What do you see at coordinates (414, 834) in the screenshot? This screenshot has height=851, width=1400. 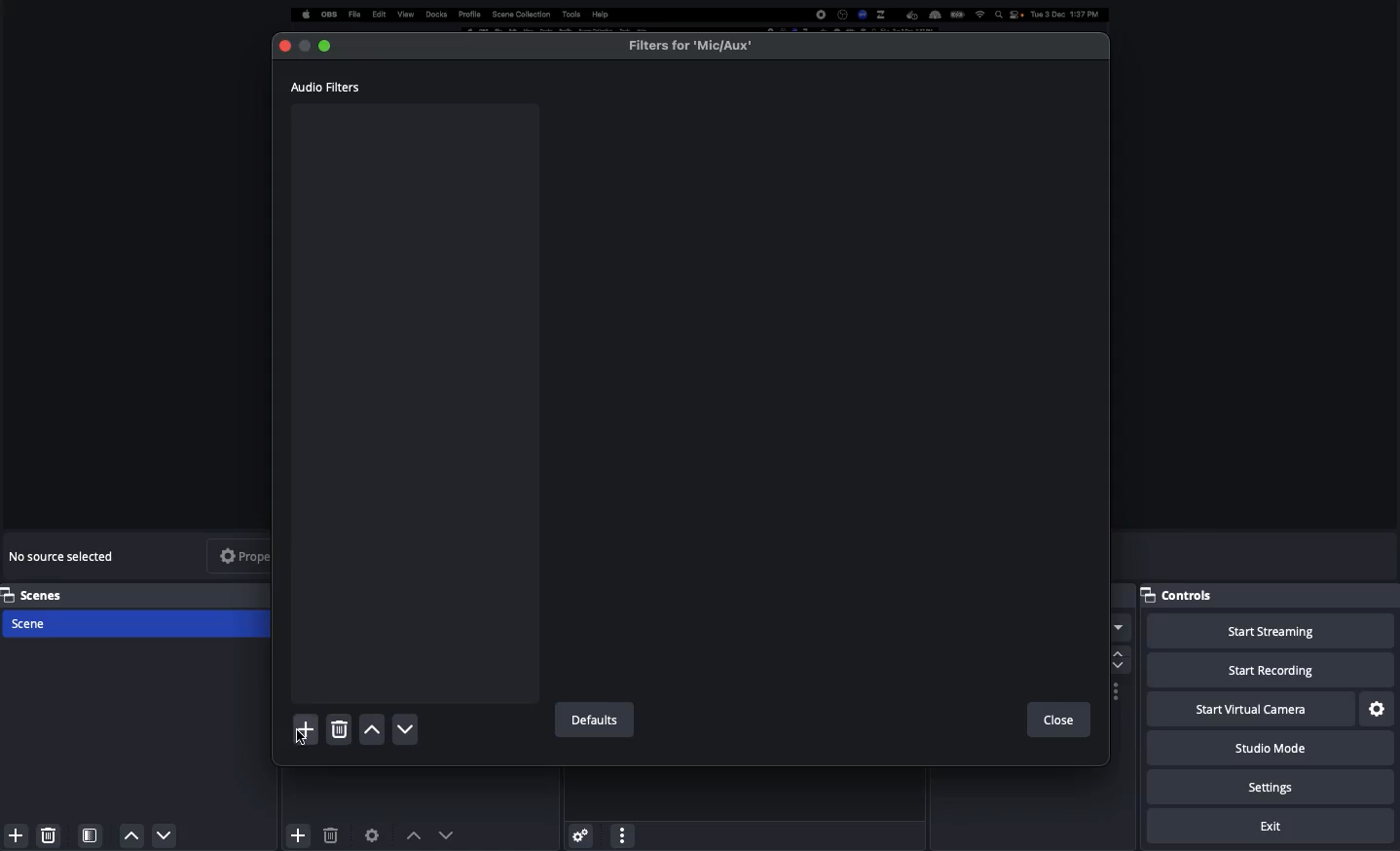 I see `Move up` at bounding box center [414, 834].